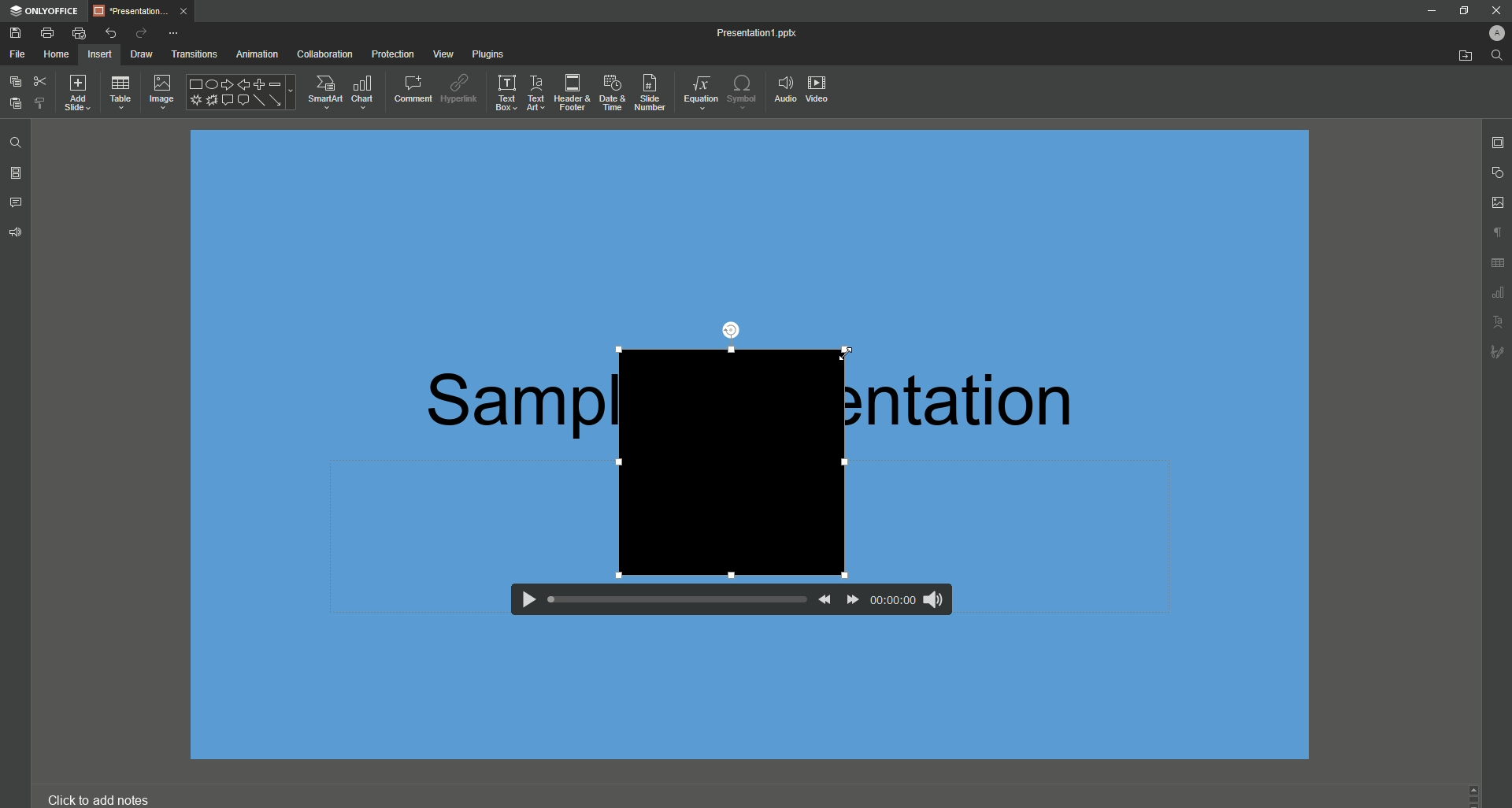 The height and width of the screenshot is (808, 1512). I want to click on Redo, so click(140, 33).